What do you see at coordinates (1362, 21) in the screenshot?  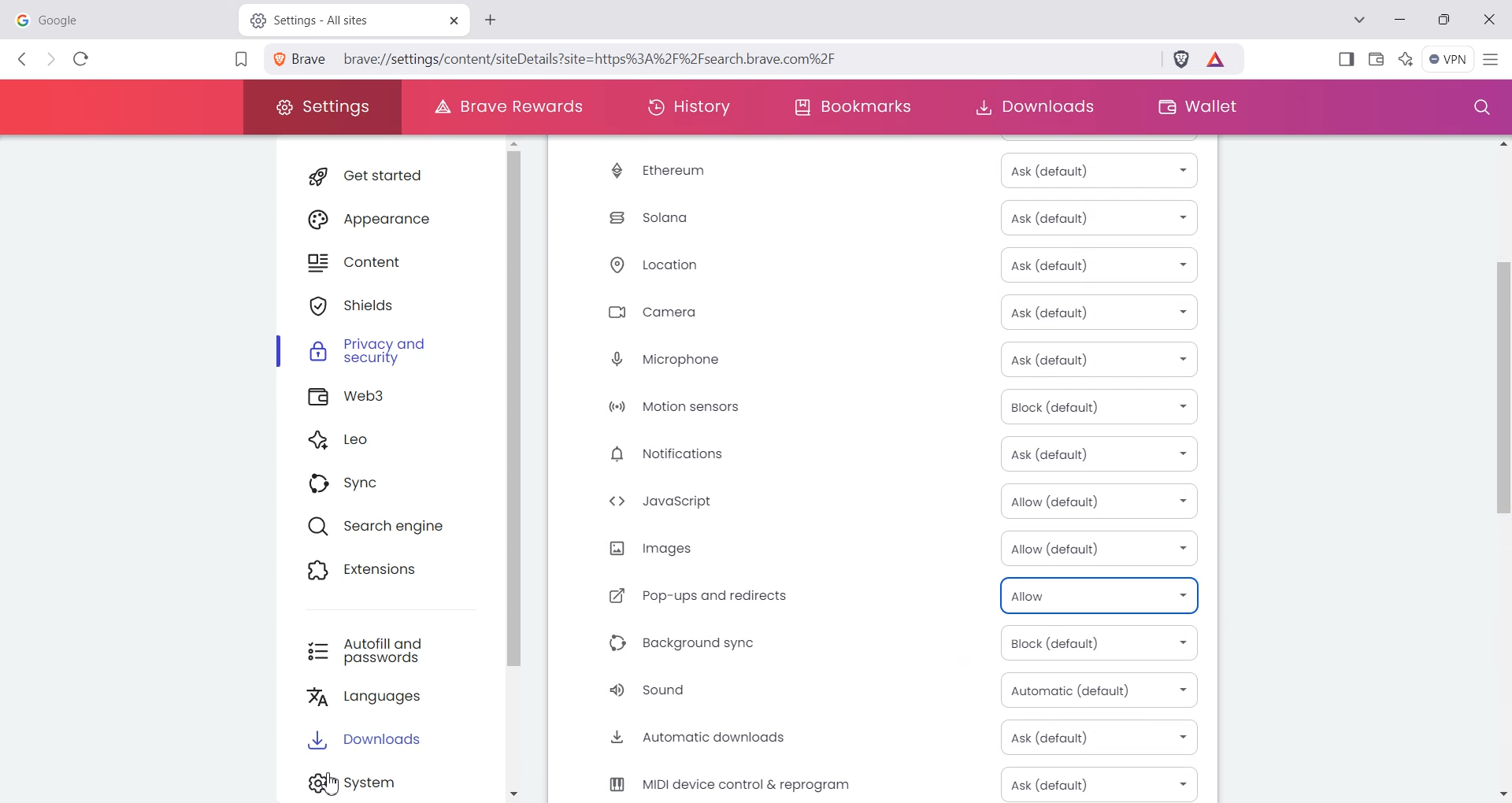 I see `Search tab` at bounding box center [1362, 21].